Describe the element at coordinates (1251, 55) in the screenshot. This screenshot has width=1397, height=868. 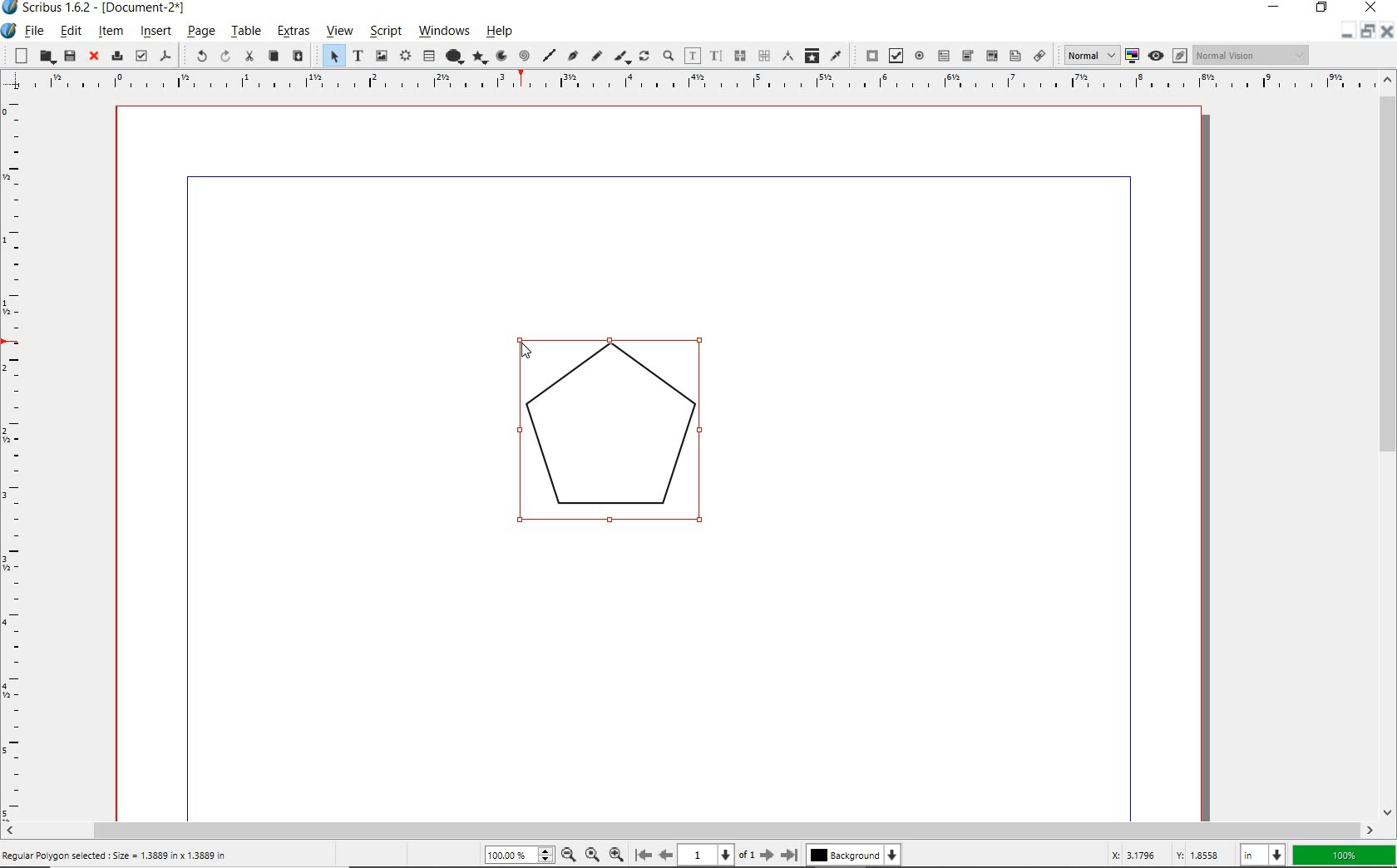
I see `visual appearance of display` at that location.